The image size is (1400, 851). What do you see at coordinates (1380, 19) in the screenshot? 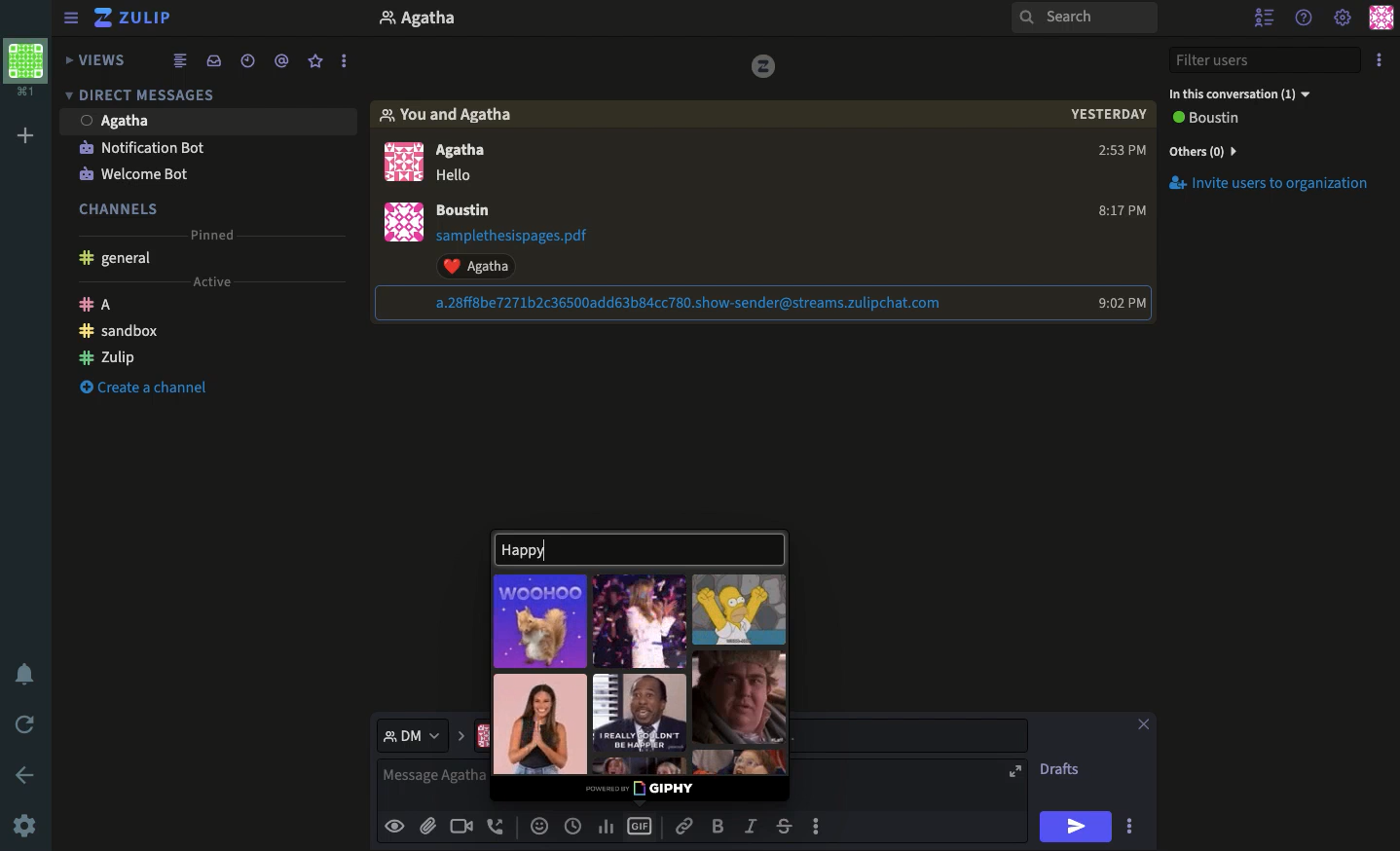
I see `Profile` at bounding box center [1380, 19].